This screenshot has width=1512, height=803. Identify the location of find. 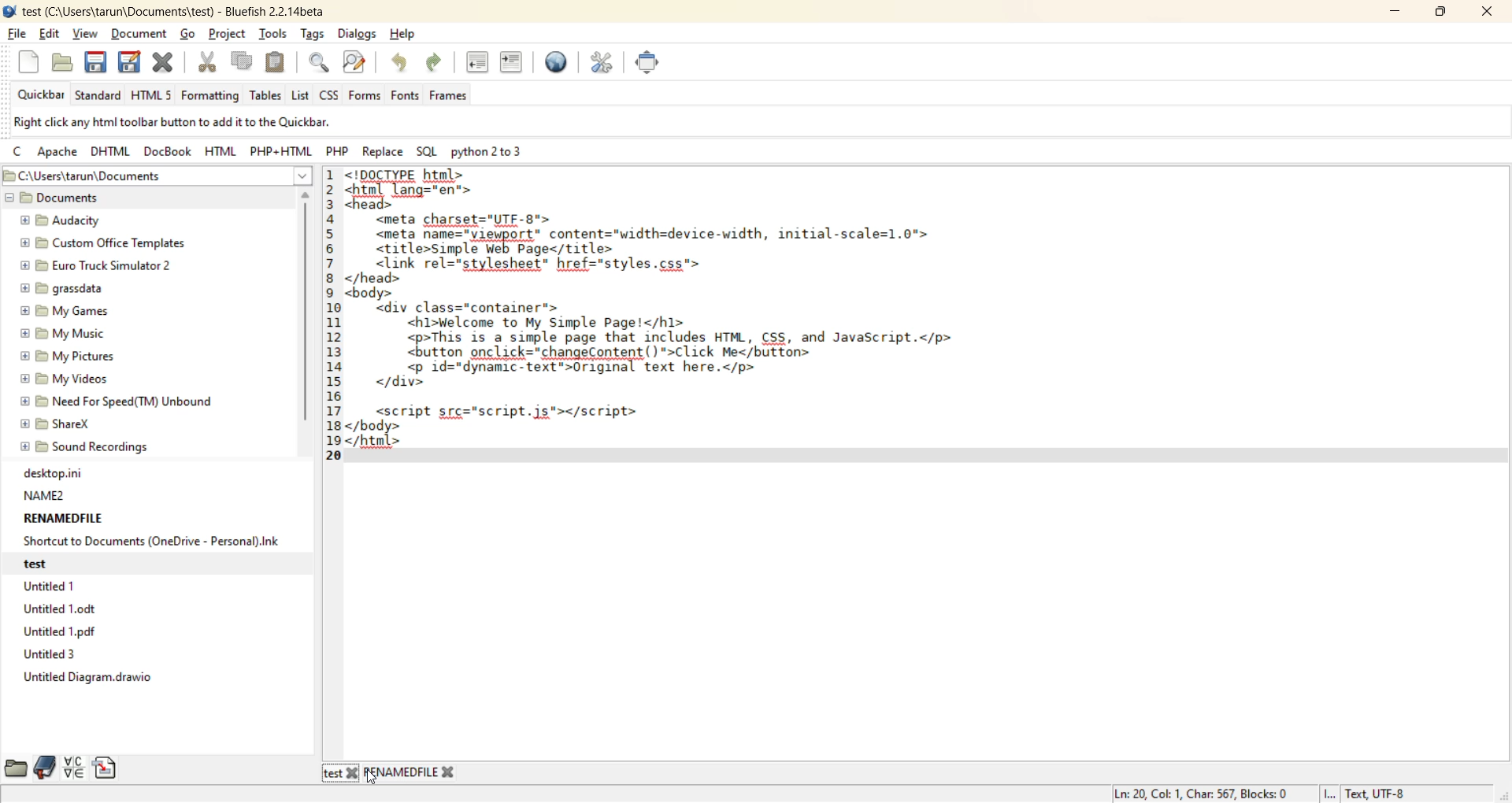
(320, 63).